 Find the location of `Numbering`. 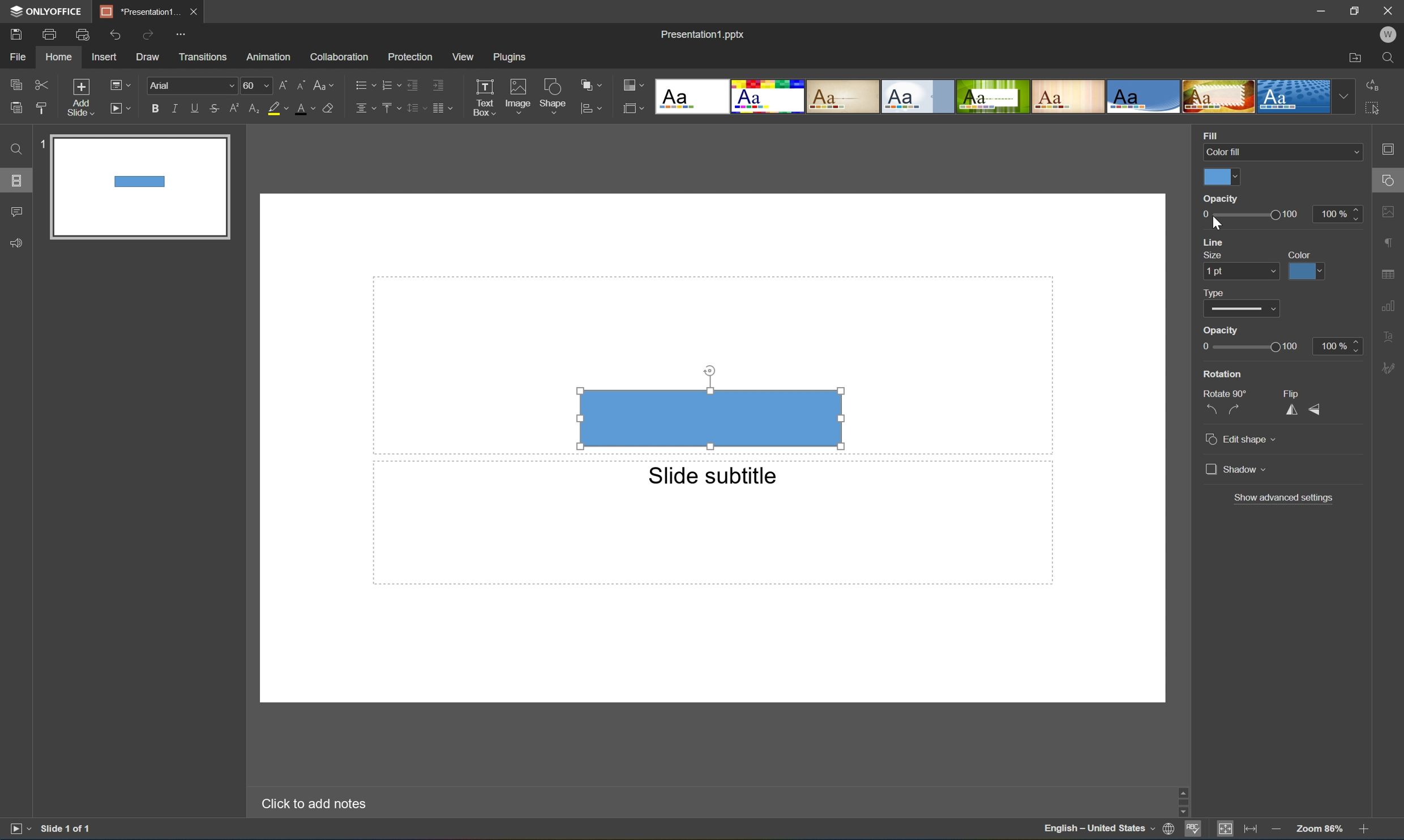

Numbering is located at coordinates (387, 84).